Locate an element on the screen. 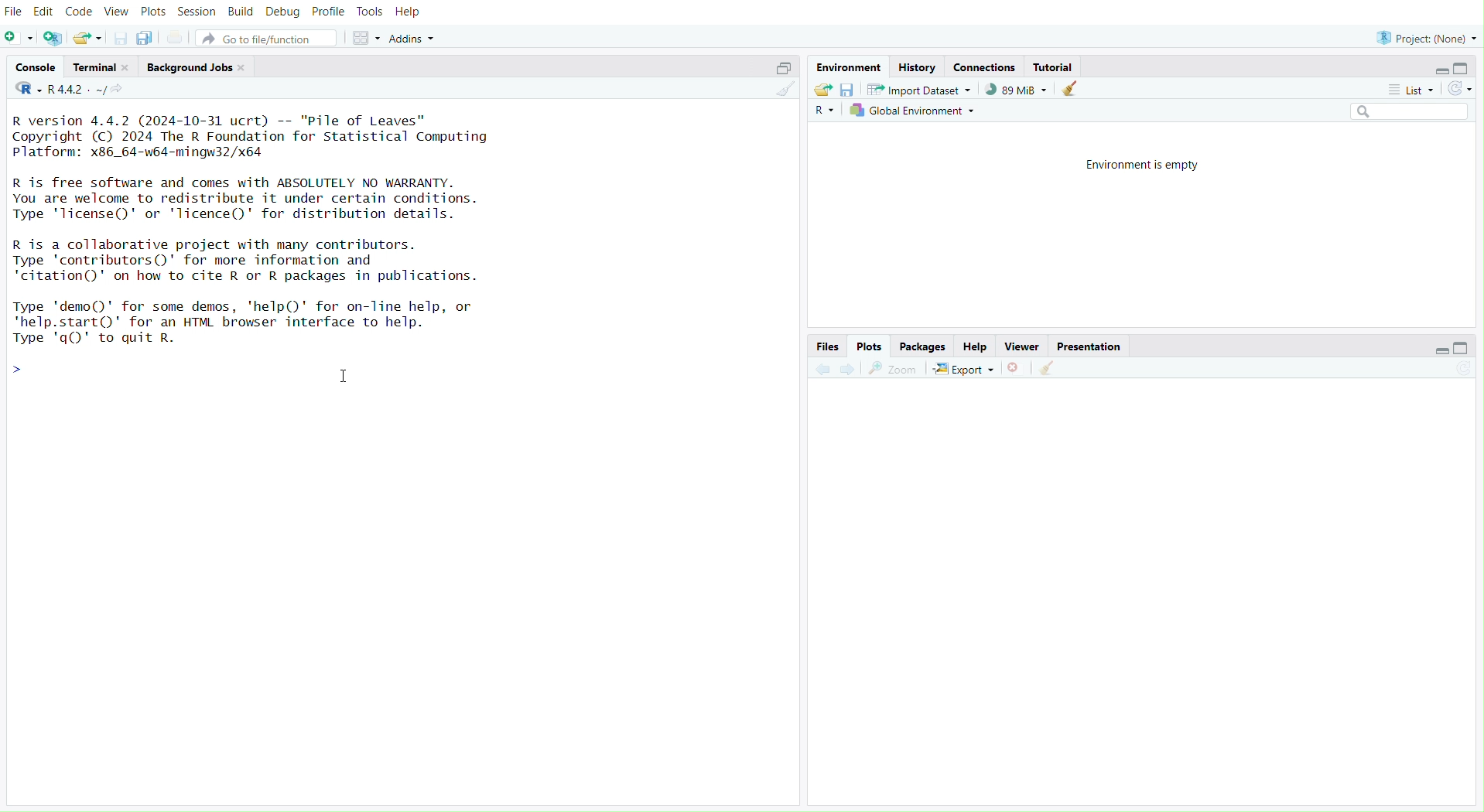  Plots is located at coordinates (150, 12).